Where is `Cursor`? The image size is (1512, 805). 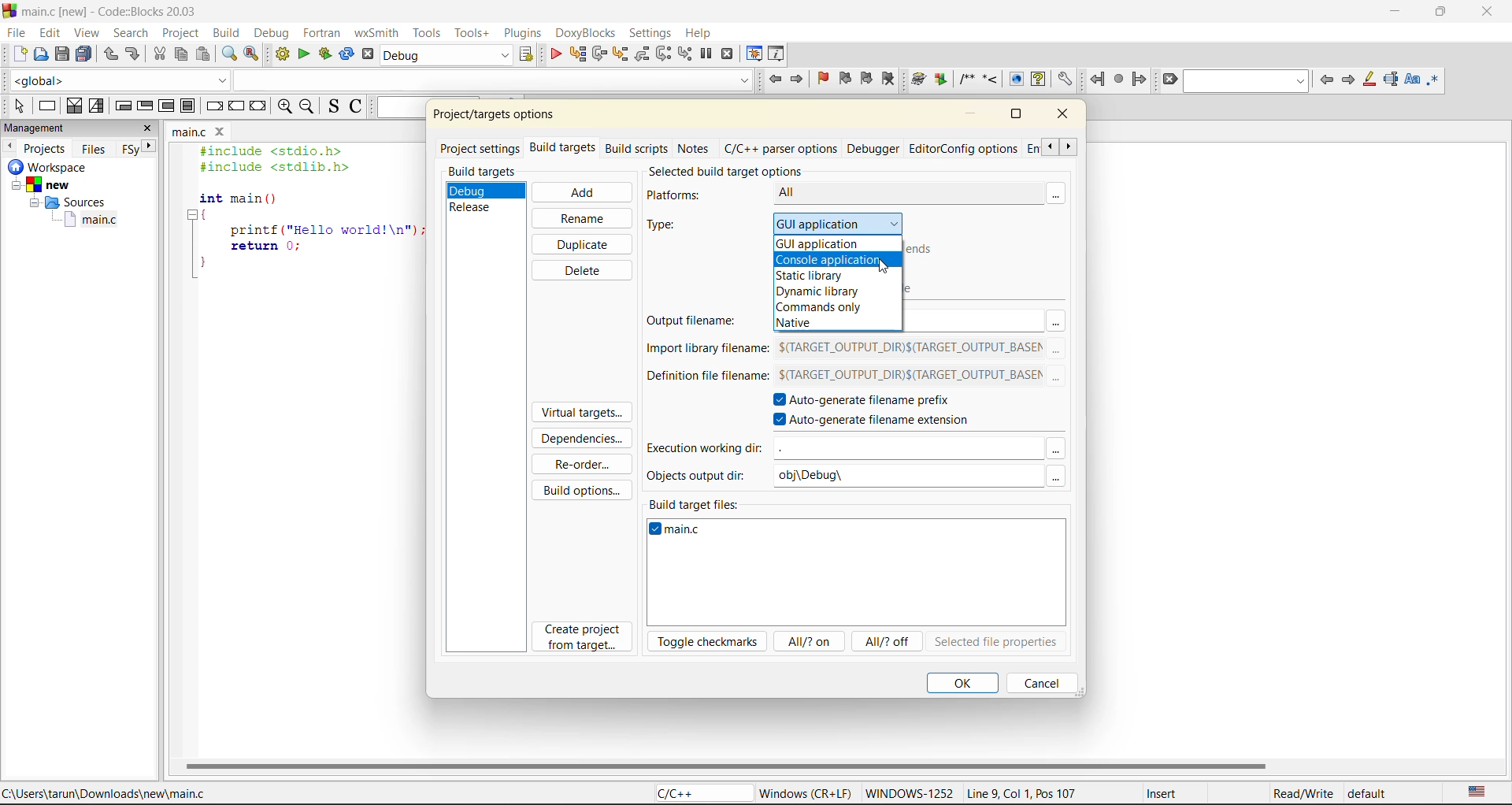 Cursor is located at coordinates (883, 265).